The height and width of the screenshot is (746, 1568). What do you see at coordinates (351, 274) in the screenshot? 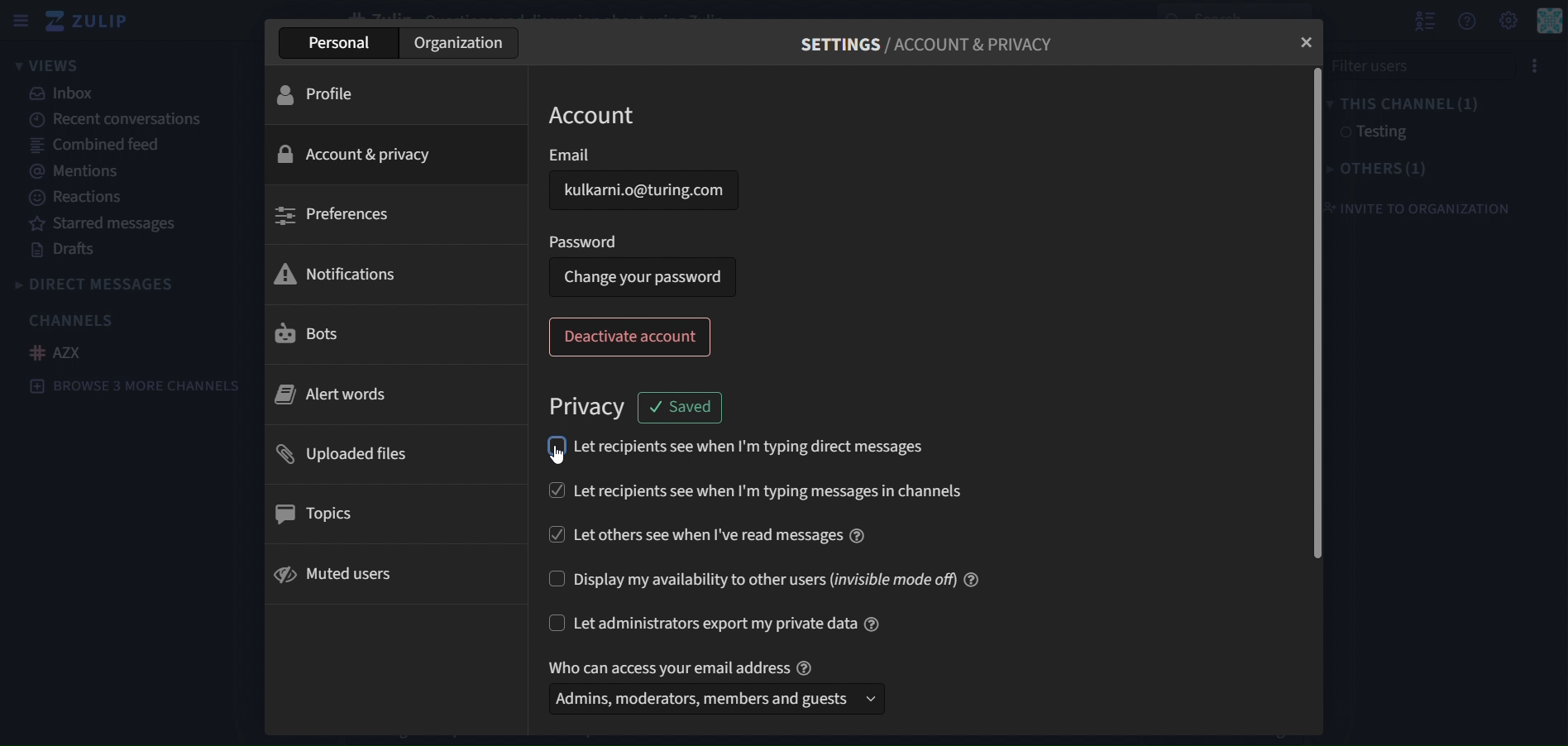
I see `notifications` at bounding box center [351, 274].